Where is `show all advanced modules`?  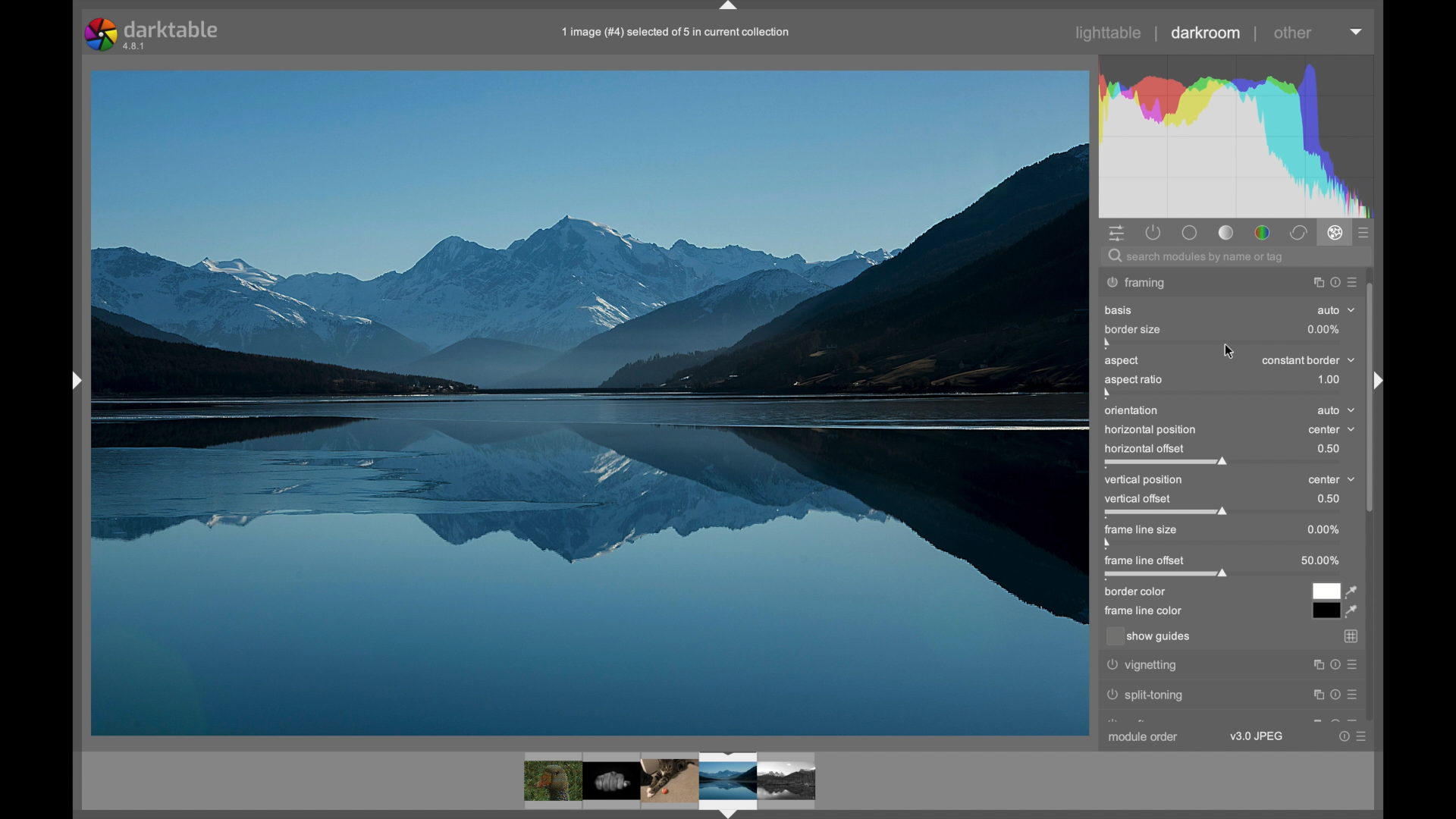
show all advanced modules is located at coordinates (1364, 234).